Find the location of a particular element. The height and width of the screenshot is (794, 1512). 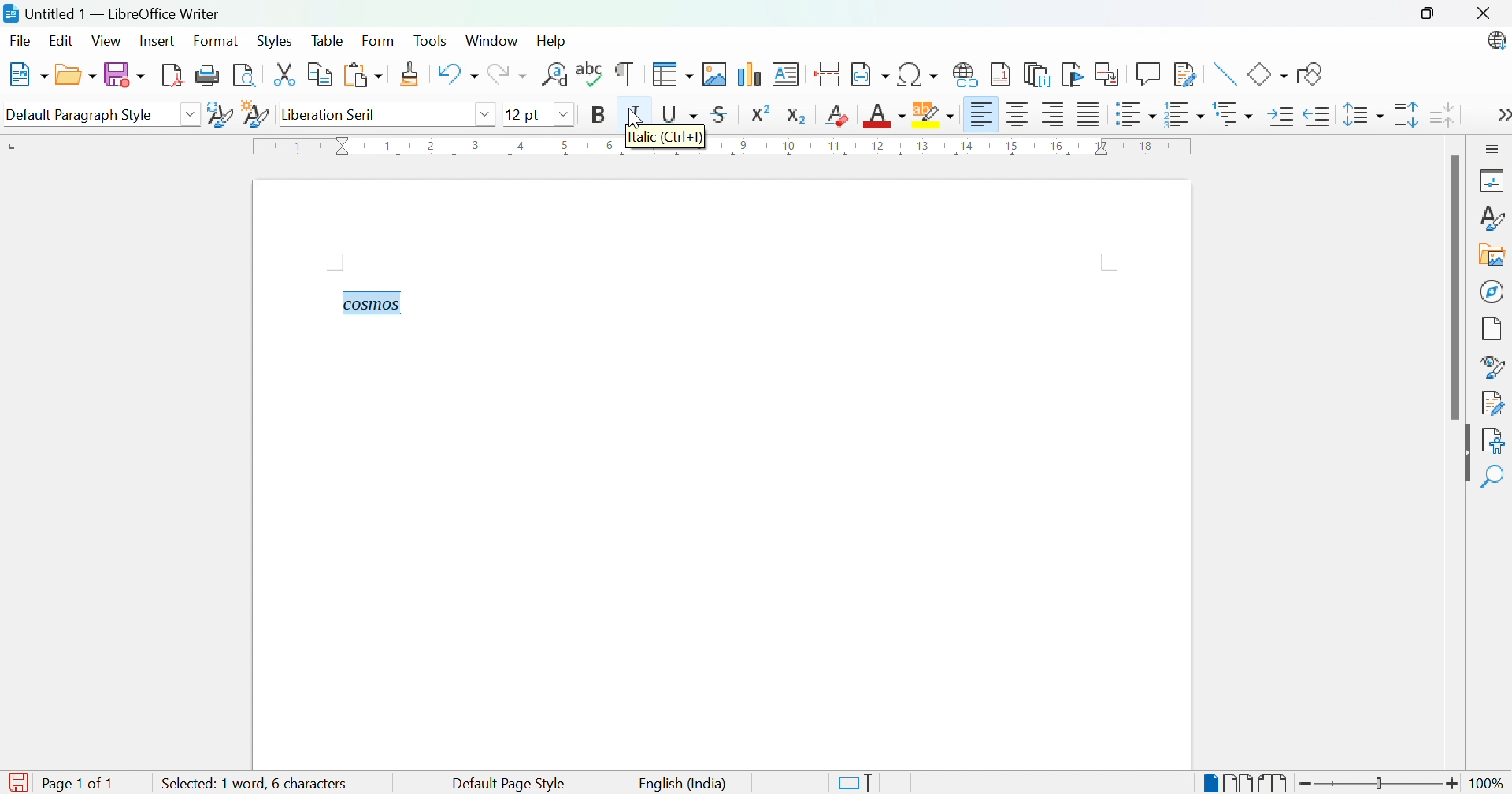

Cut is located at coordinates (288, 76).